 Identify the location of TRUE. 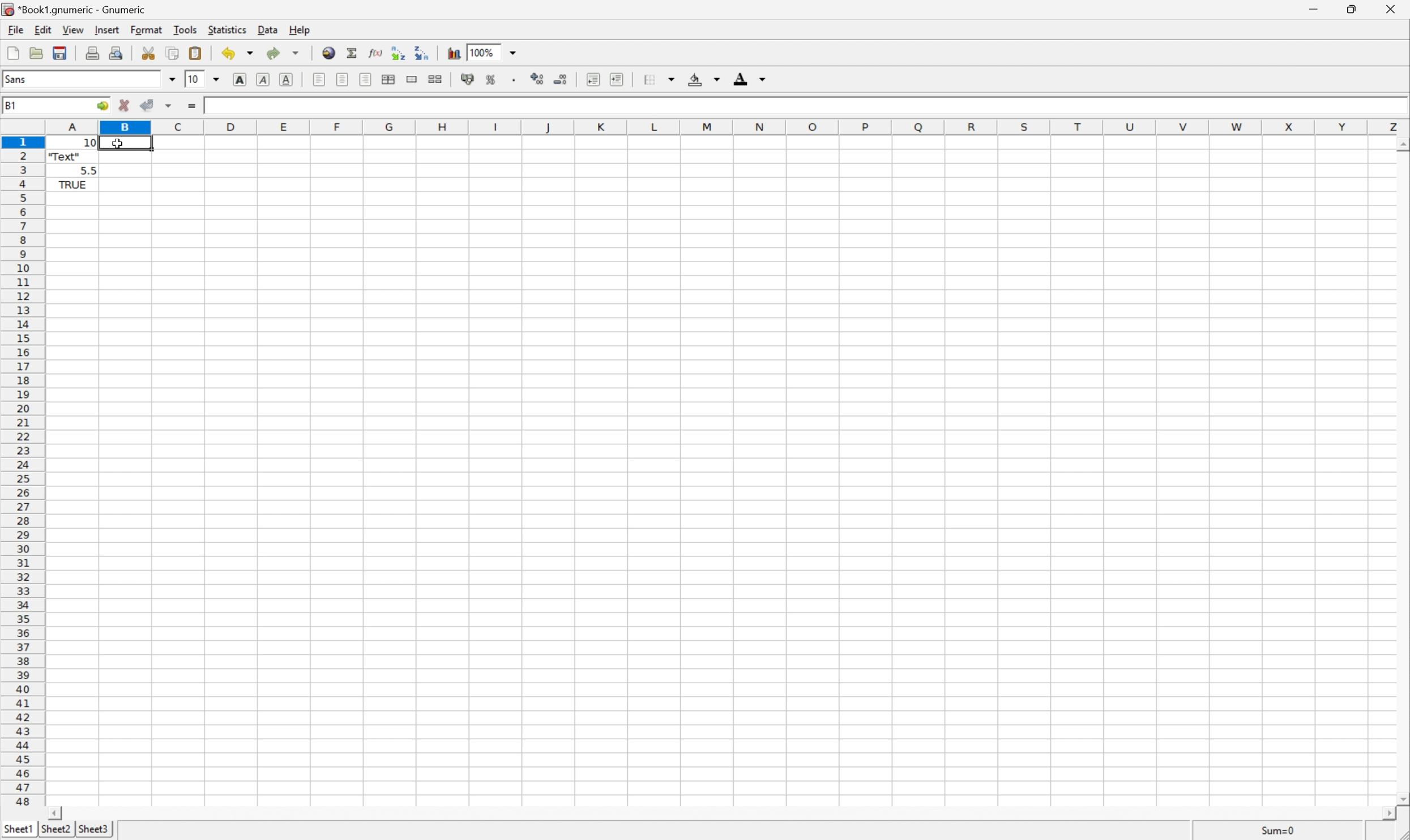
(72, 186).